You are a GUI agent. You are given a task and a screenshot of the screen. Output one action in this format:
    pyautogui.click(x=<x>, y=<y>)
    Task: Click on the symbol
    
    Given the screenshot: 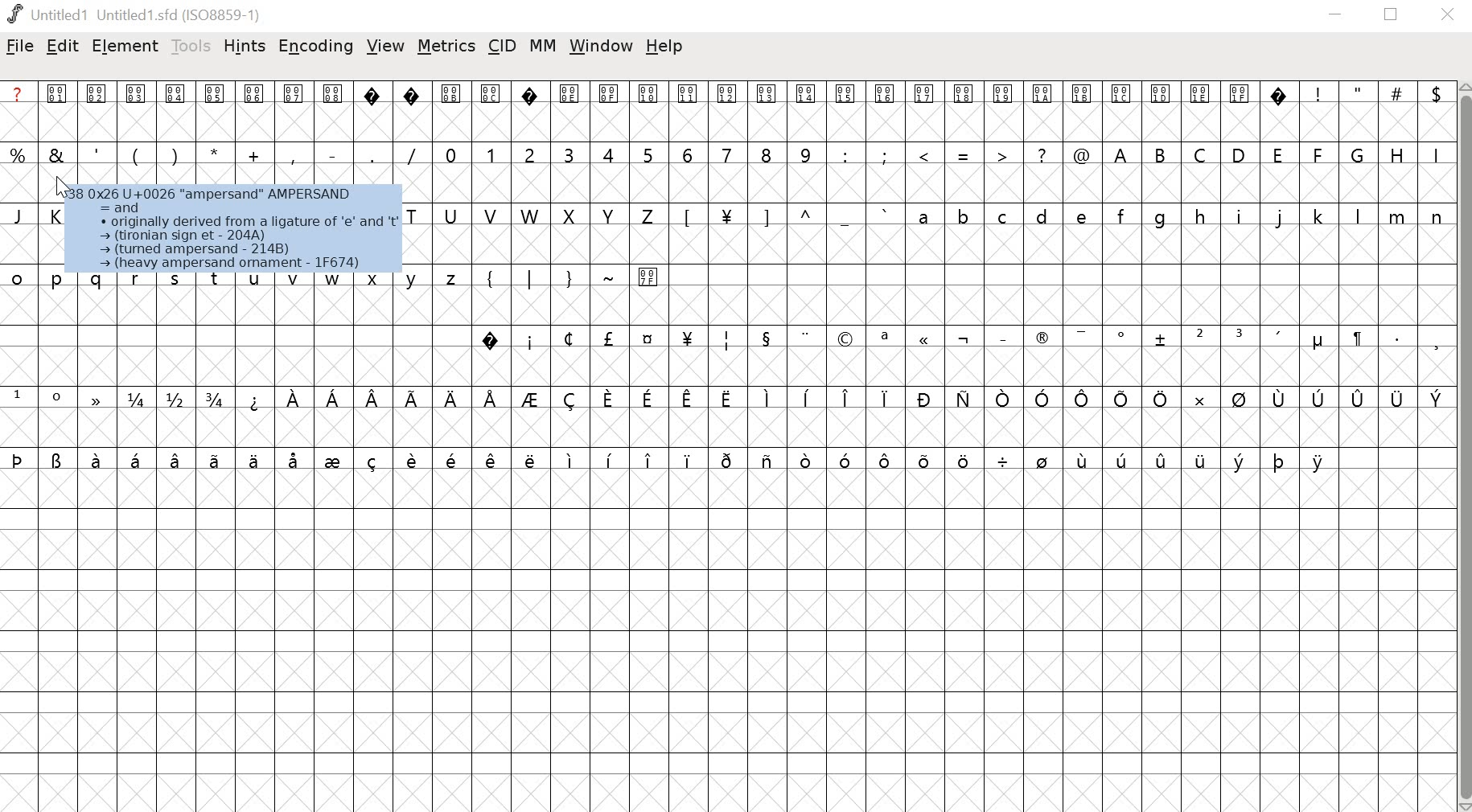 What is the action you would take?
    pyautogui.click(x=1280, y=460)
    